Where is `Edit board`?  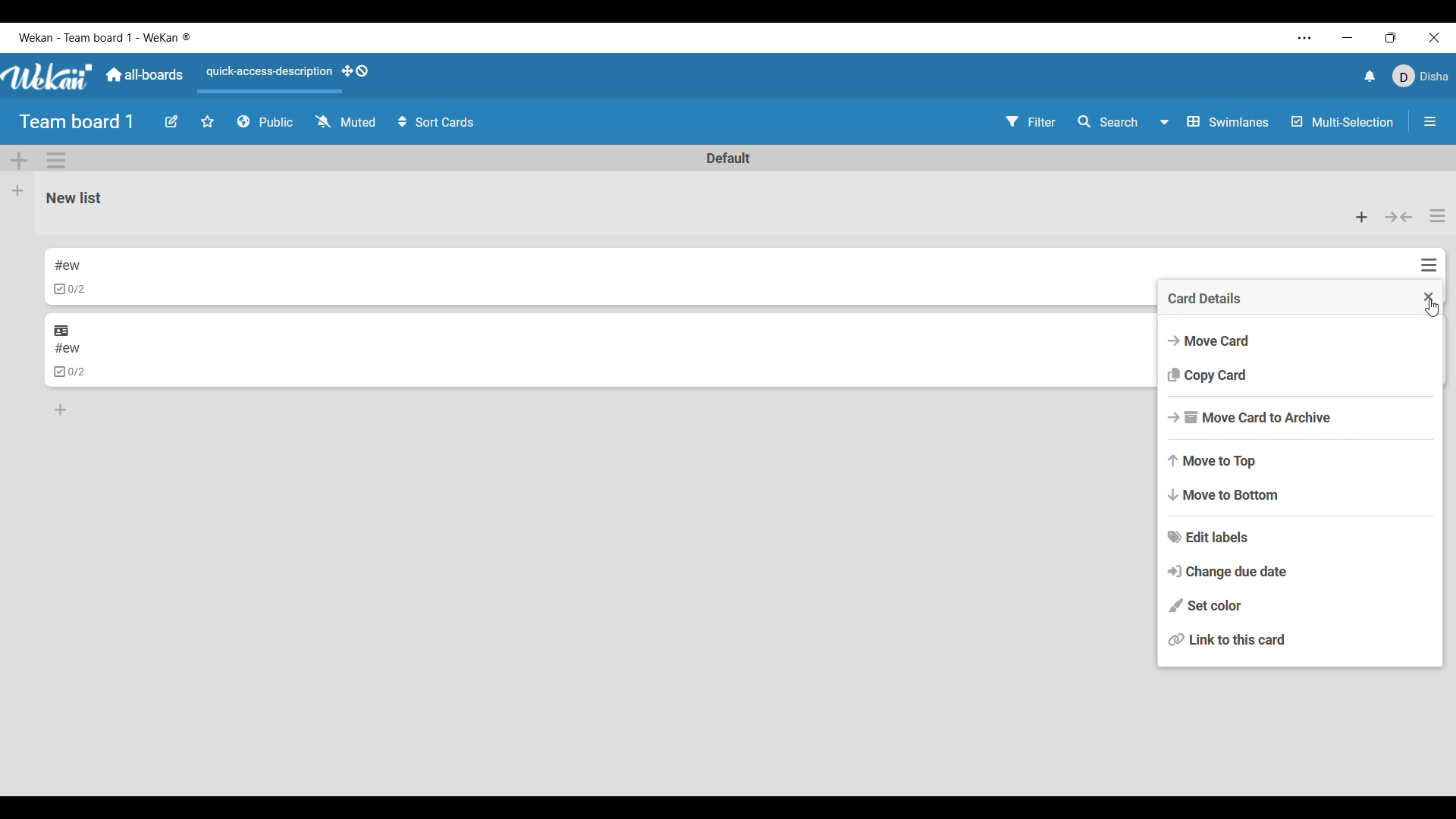 Edit board is located at coordinates (171, 121).